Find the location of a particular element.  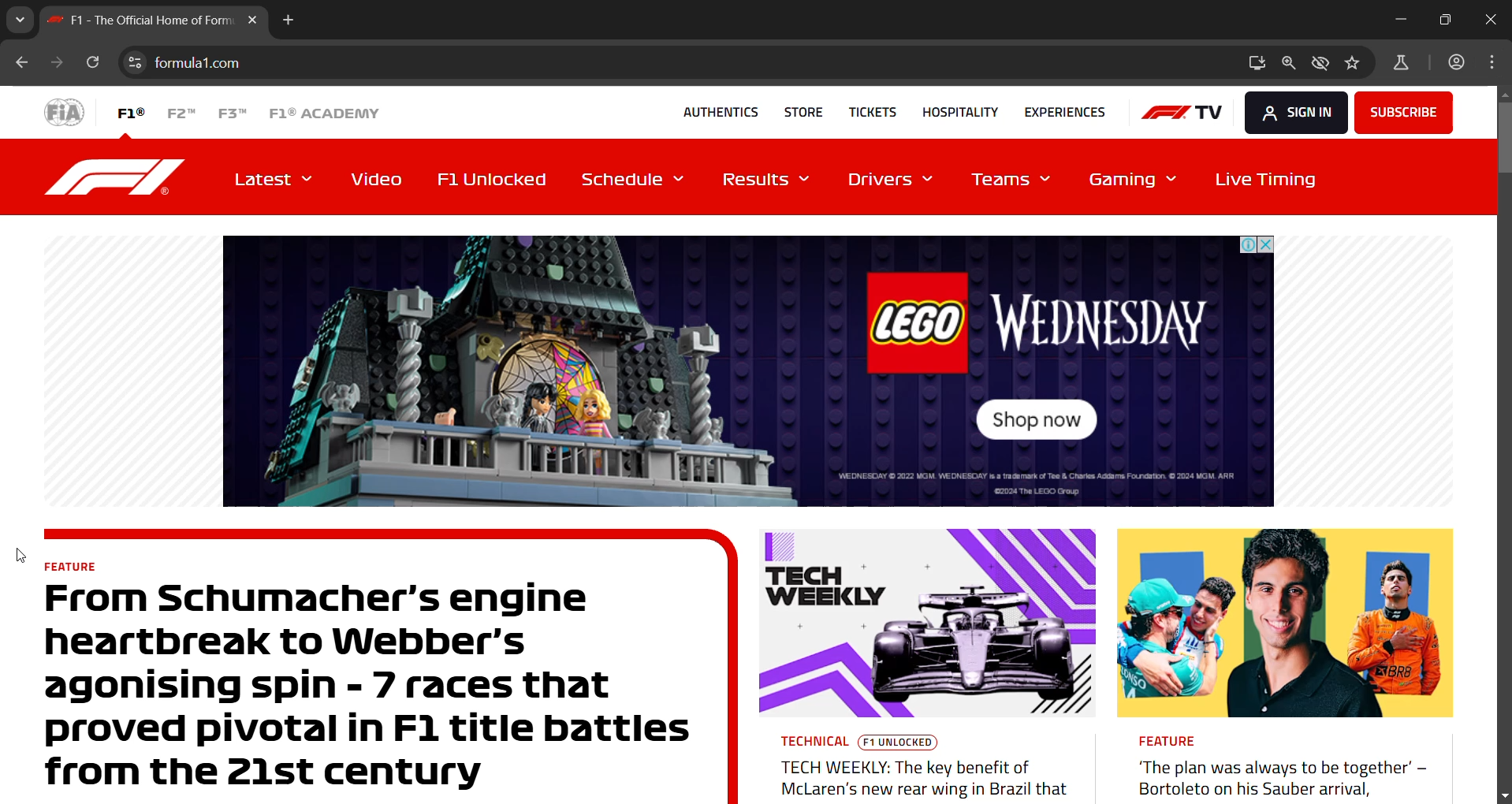

click to go forward is located at coordinates (54, 65).